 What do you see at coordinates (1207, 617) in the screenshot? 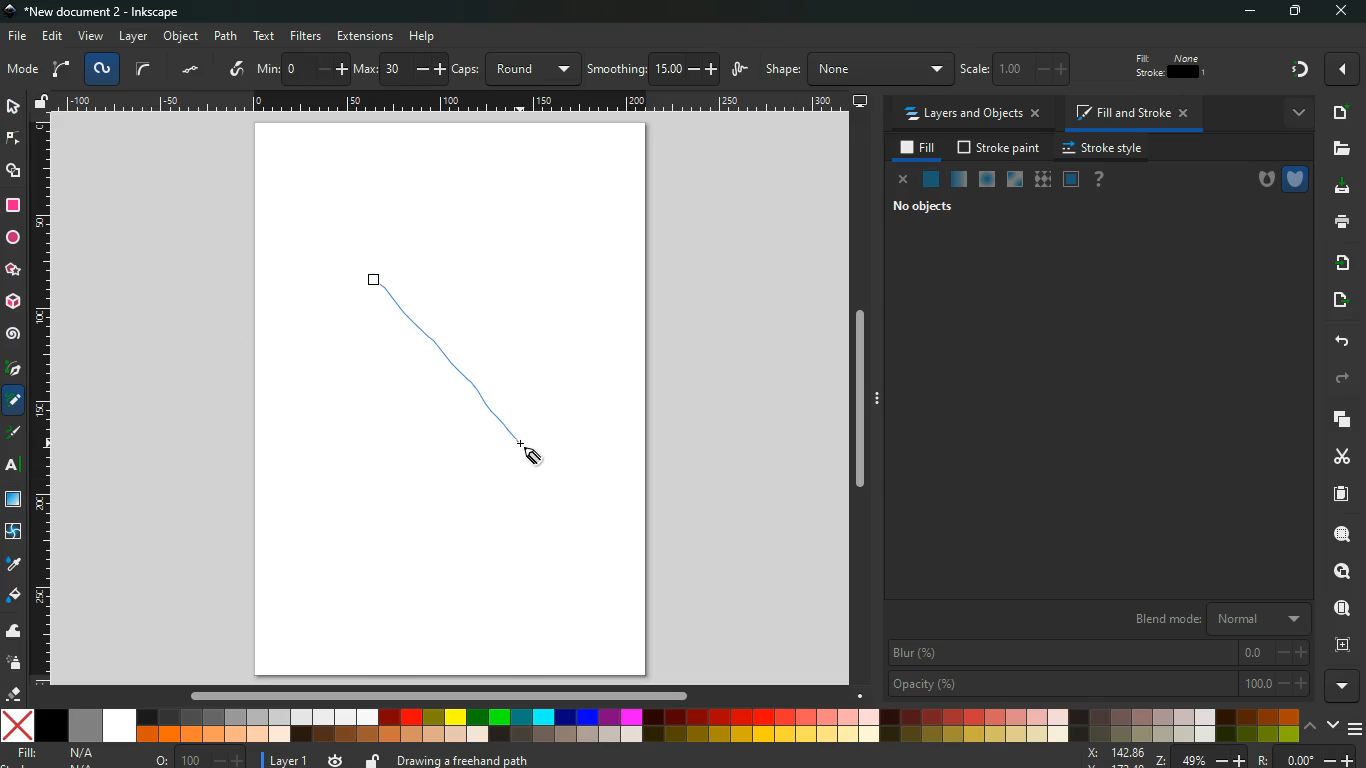
I see `blend mode` at bounding box center [1207, 617].